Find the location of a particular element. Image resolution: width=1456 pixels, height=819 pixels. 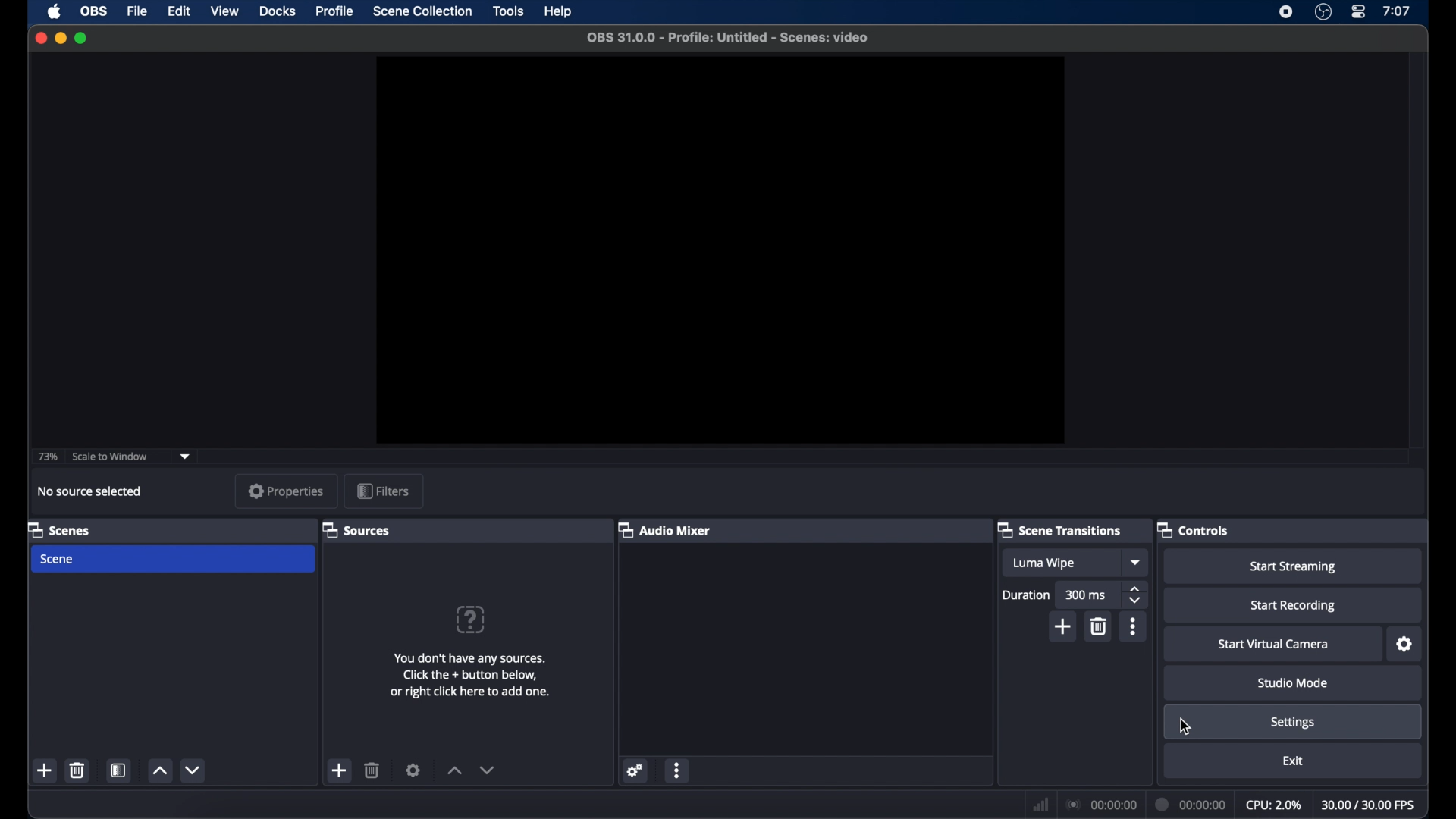

preview is located at coordinates (720, 250).